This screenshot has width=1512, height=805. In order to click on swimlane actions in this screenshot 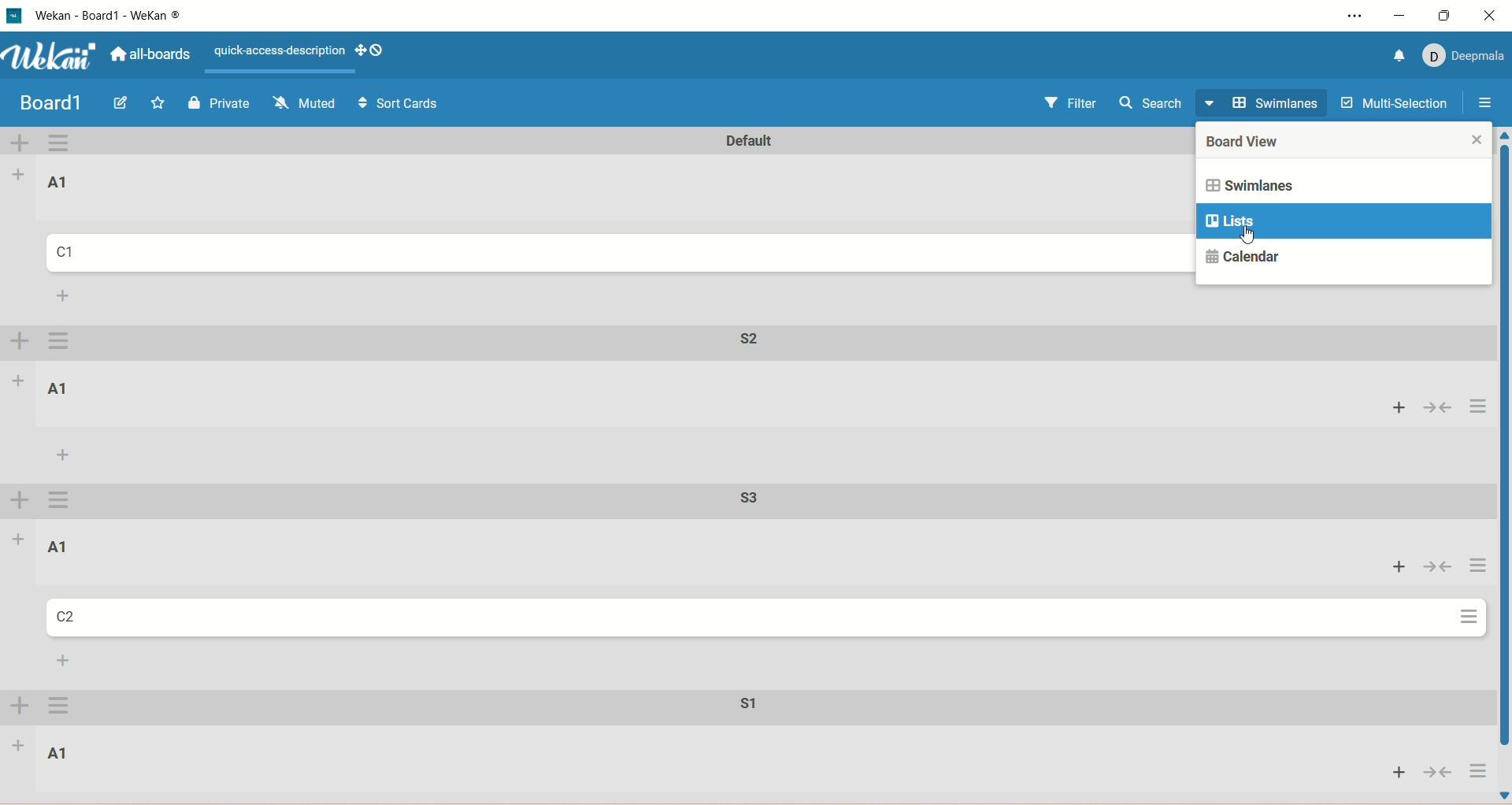, I will do `click(64, 342)`.